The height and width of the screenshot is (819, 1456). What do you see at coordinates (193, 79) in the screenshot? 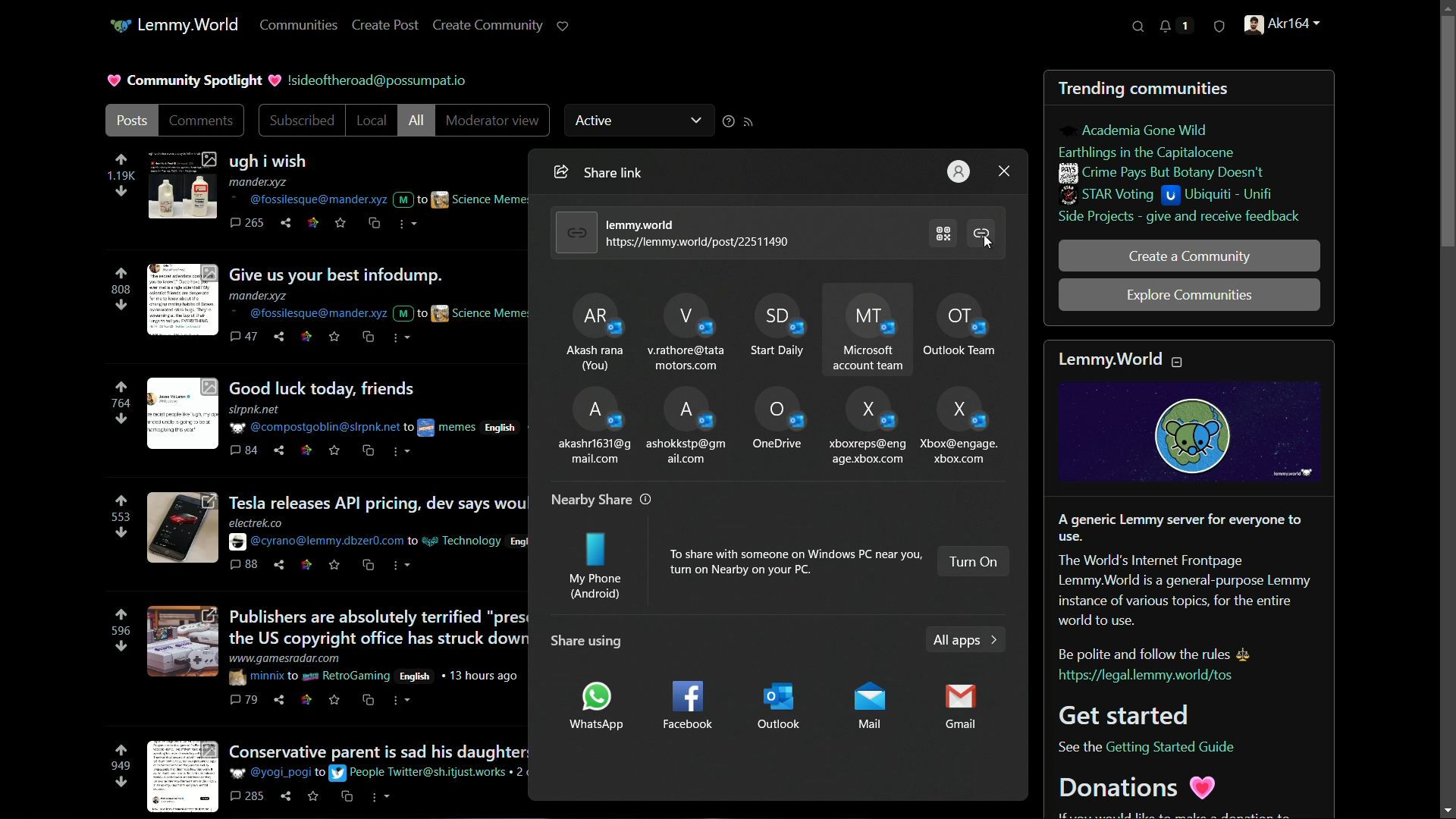
I see `community spotlight` at bounding box center [193, 79].